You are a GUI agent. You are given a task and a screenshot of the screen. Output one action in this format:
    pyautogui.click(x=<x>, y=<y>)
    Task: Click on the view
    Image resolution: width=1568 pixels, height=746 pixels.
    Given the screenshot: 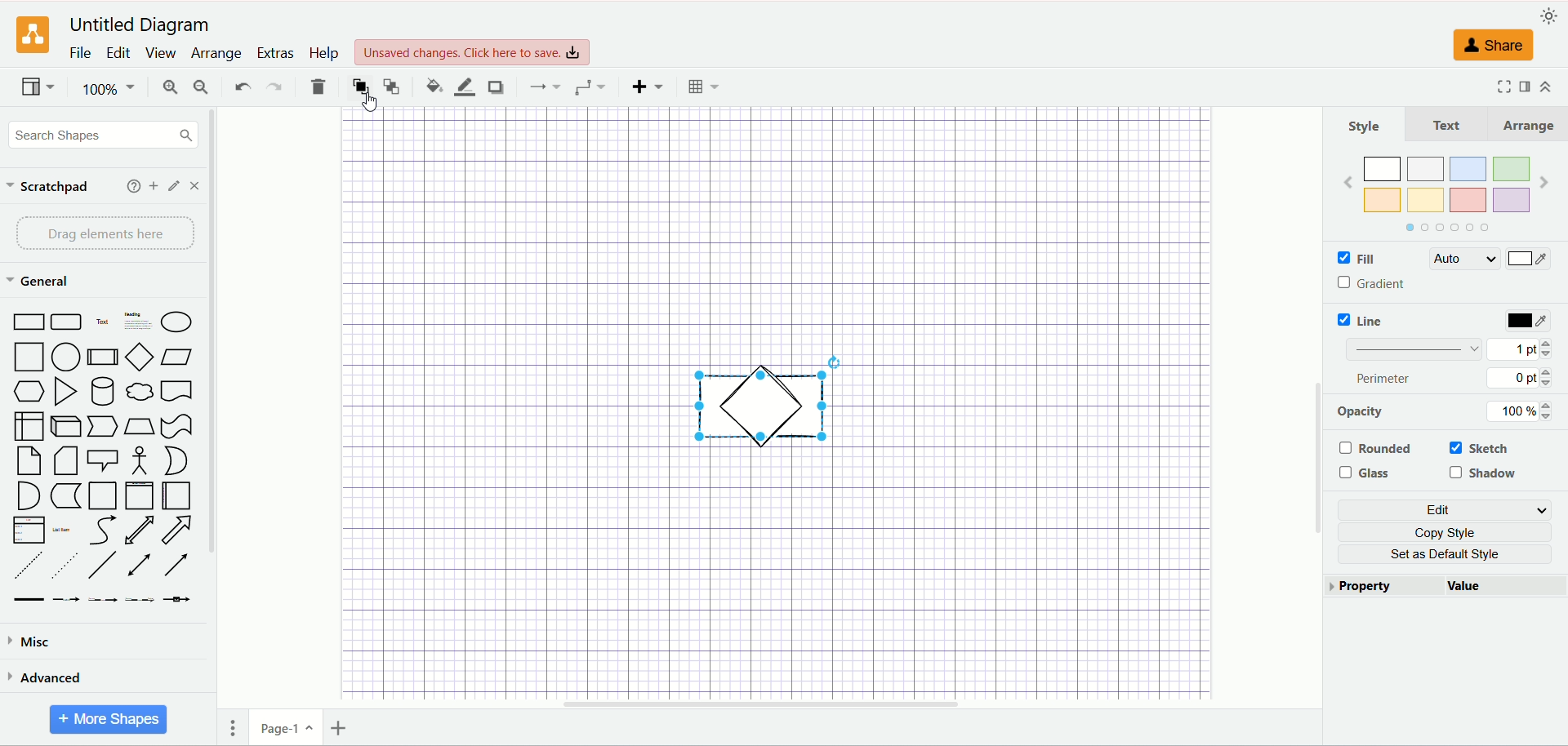 What is the action you would take?
    pyautogui.click(x=163, y=56)
    